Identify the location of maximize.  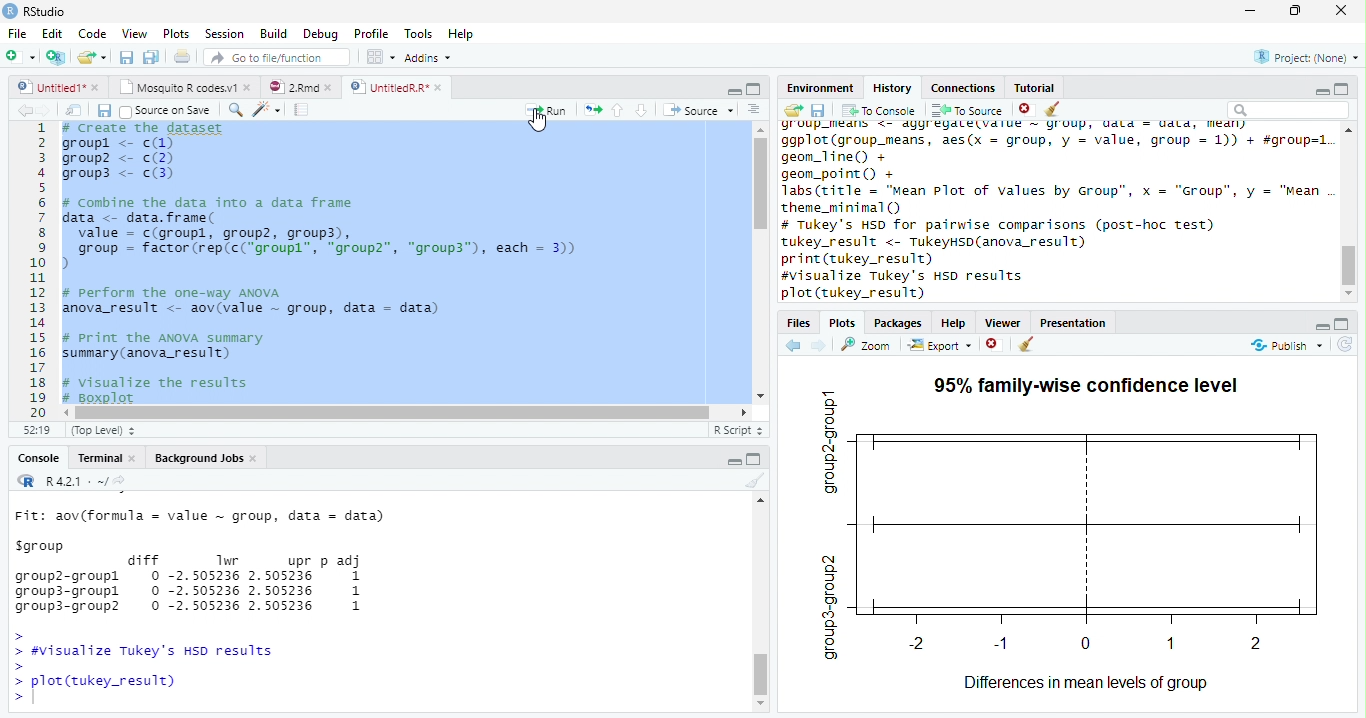
(1345, 88).